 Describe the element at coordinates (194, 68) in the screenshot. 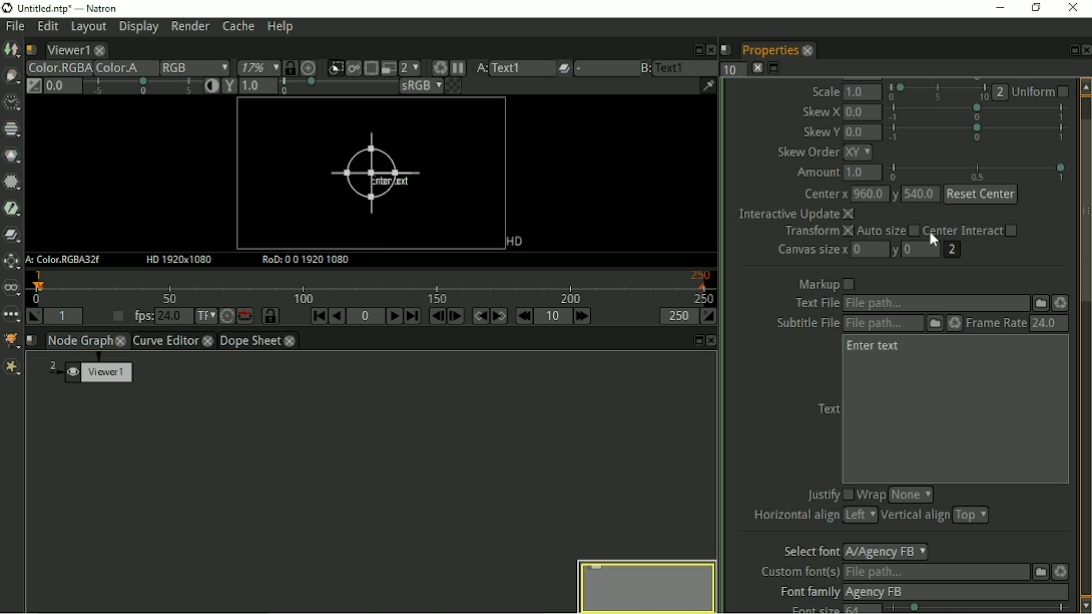

I see `RGB` at that location.